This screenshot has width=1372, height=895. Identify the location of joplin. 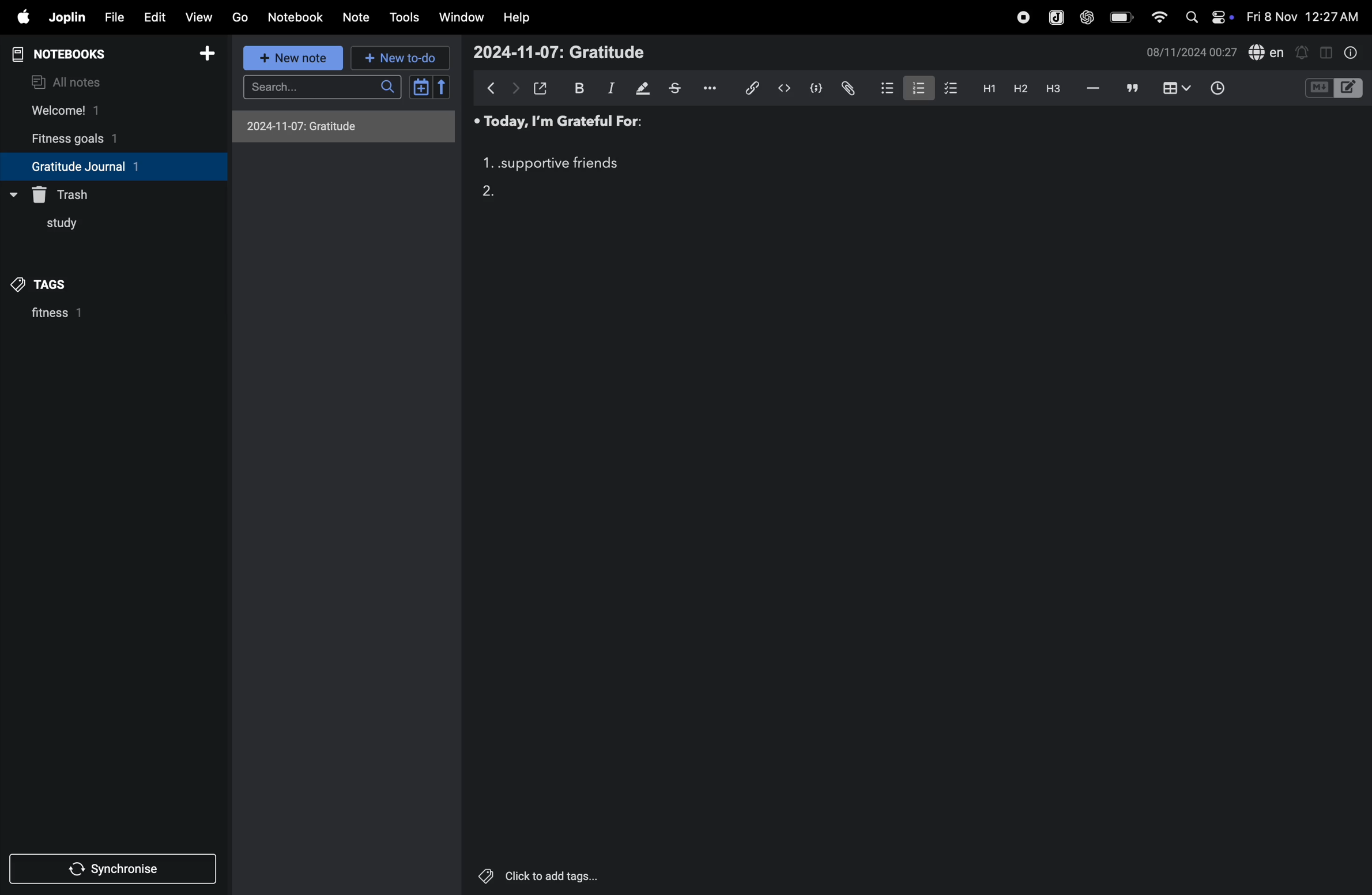
(67, 16).